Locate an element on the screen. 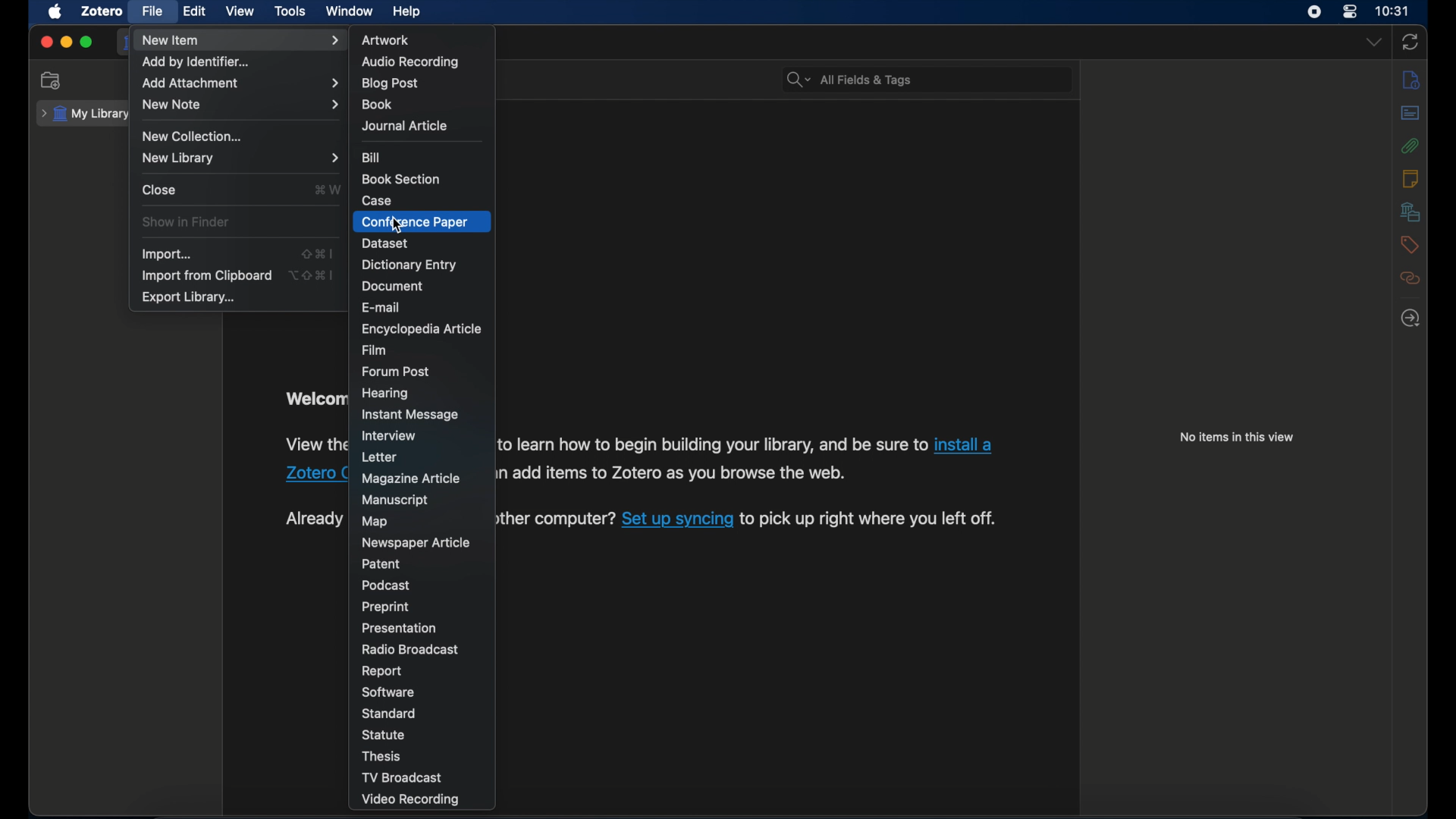  maximize is located at coordinates (87, 42).